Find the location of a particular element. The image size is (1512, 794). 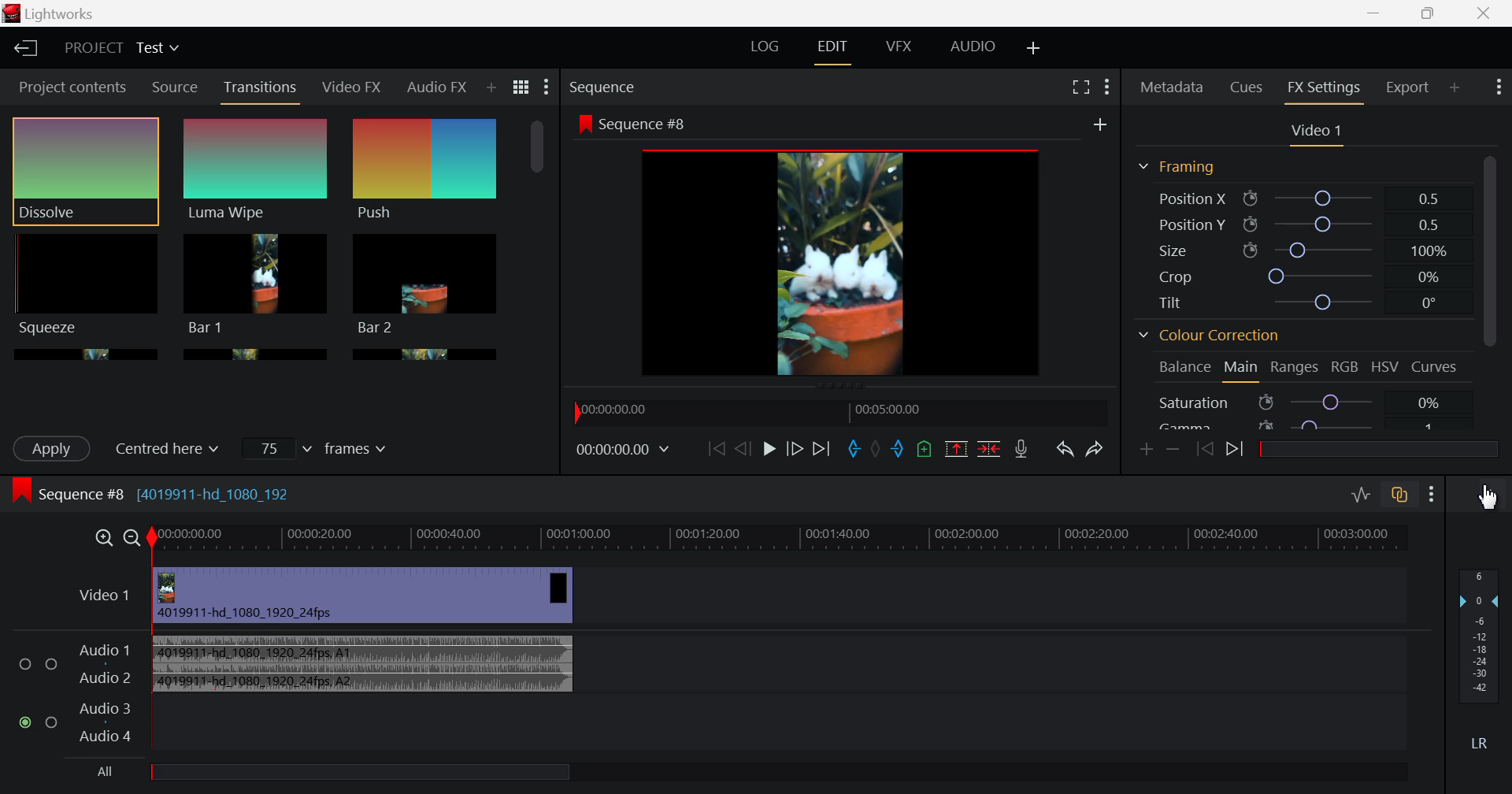

Lightworks is located at coordinates (76, 13).